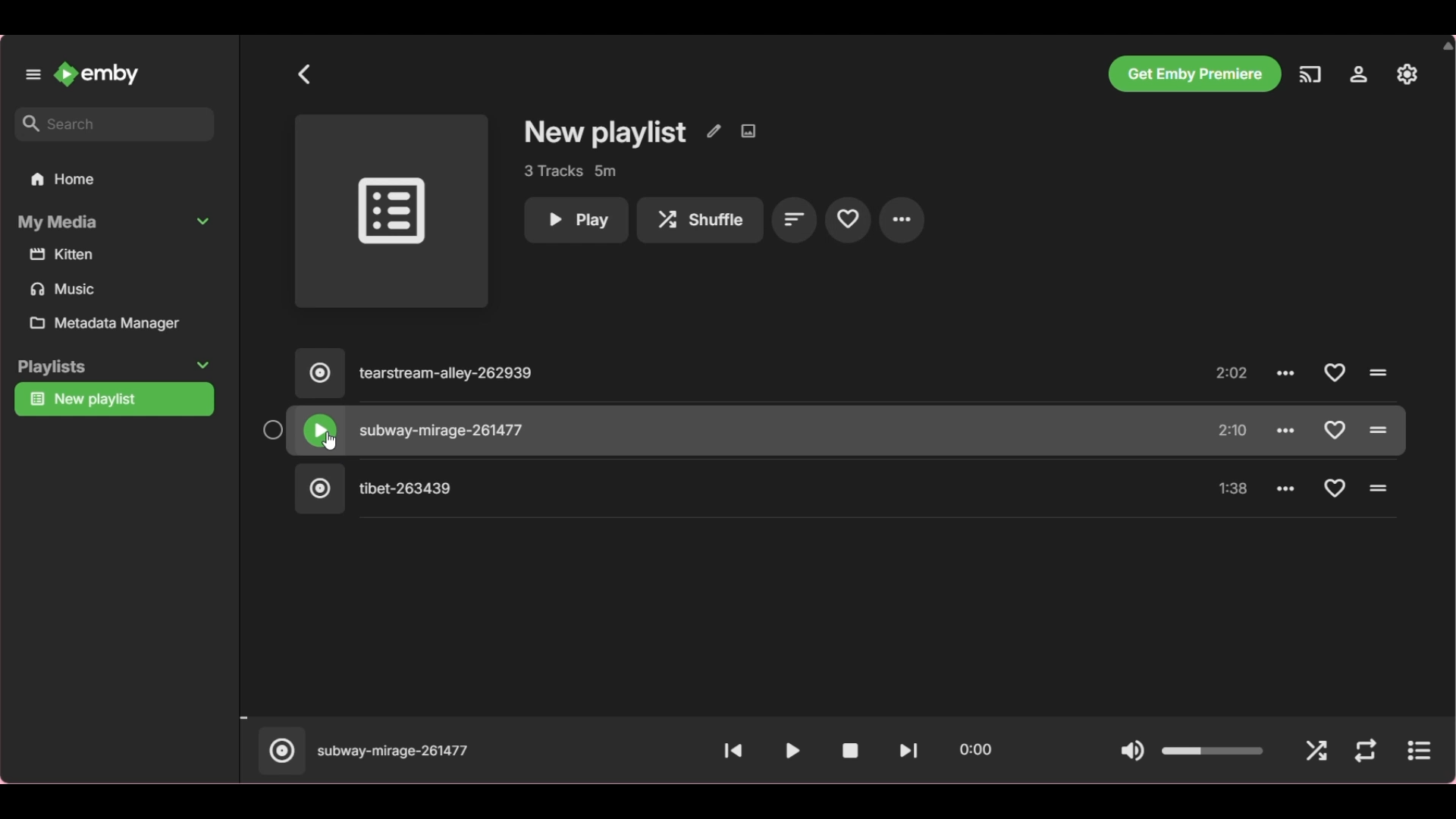  I want to click on Add respective song to favorites, so click(1334, 372).